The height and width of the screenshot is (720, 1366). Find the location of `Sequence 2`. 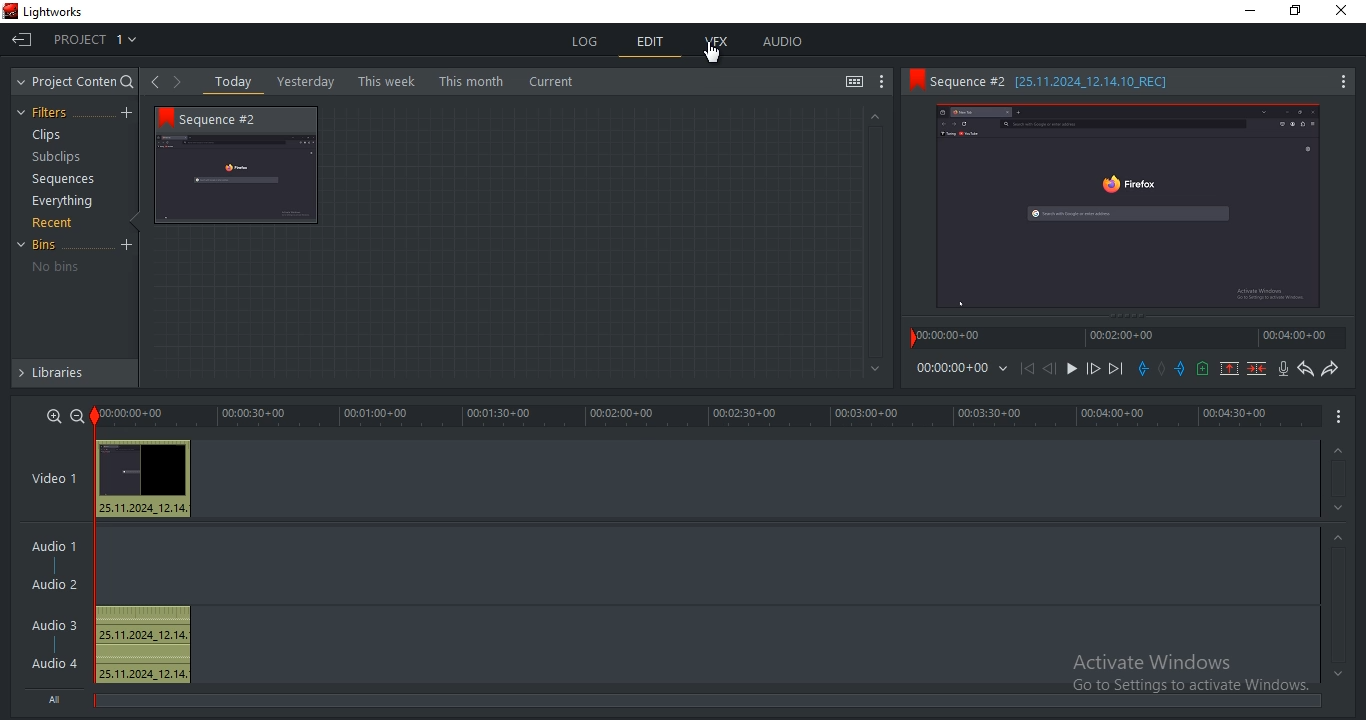

Sequence 2 is located at coordinates (228, 117).